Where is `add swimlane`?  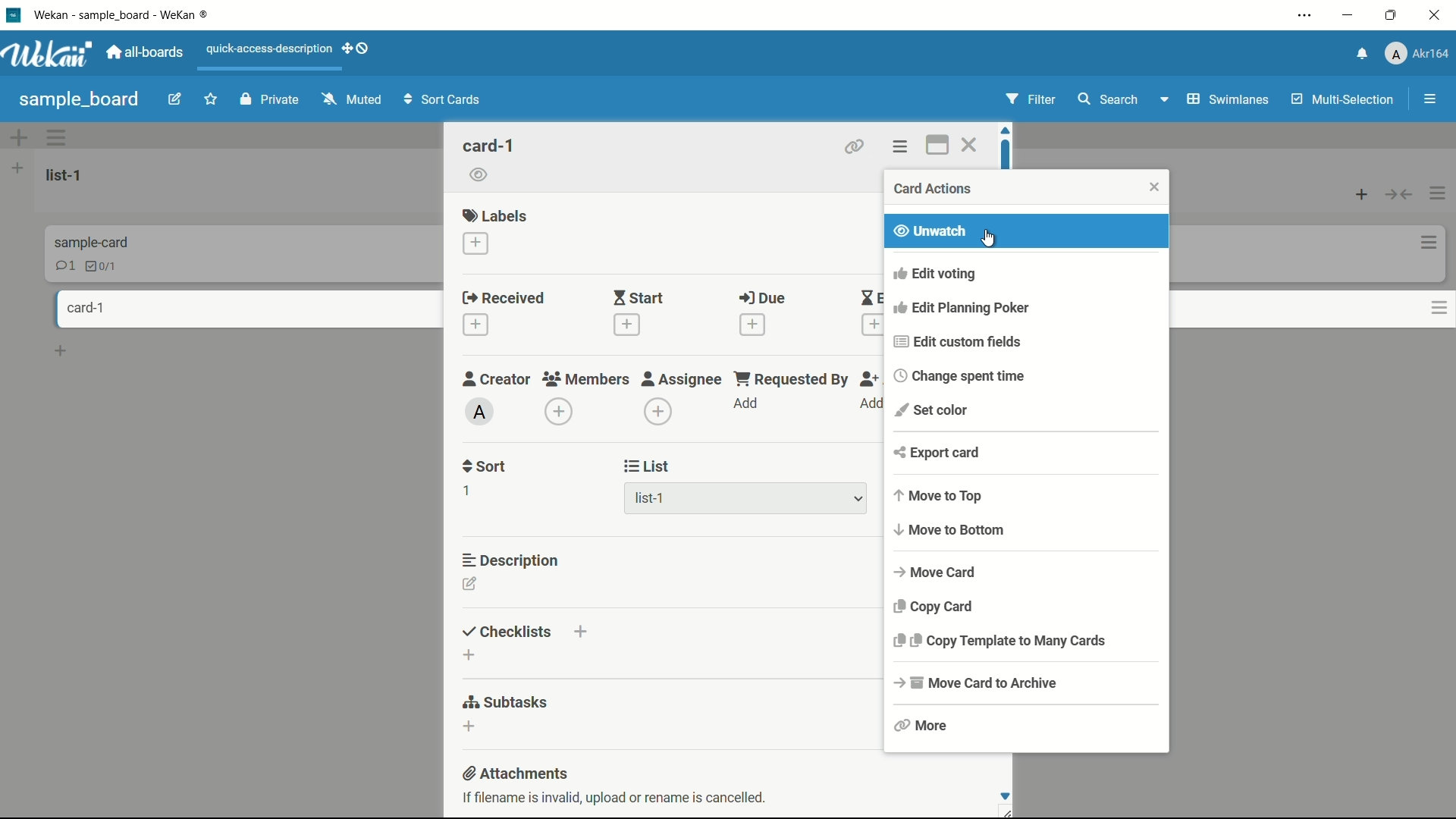
add swimlane is located at coordinates (17, 140).